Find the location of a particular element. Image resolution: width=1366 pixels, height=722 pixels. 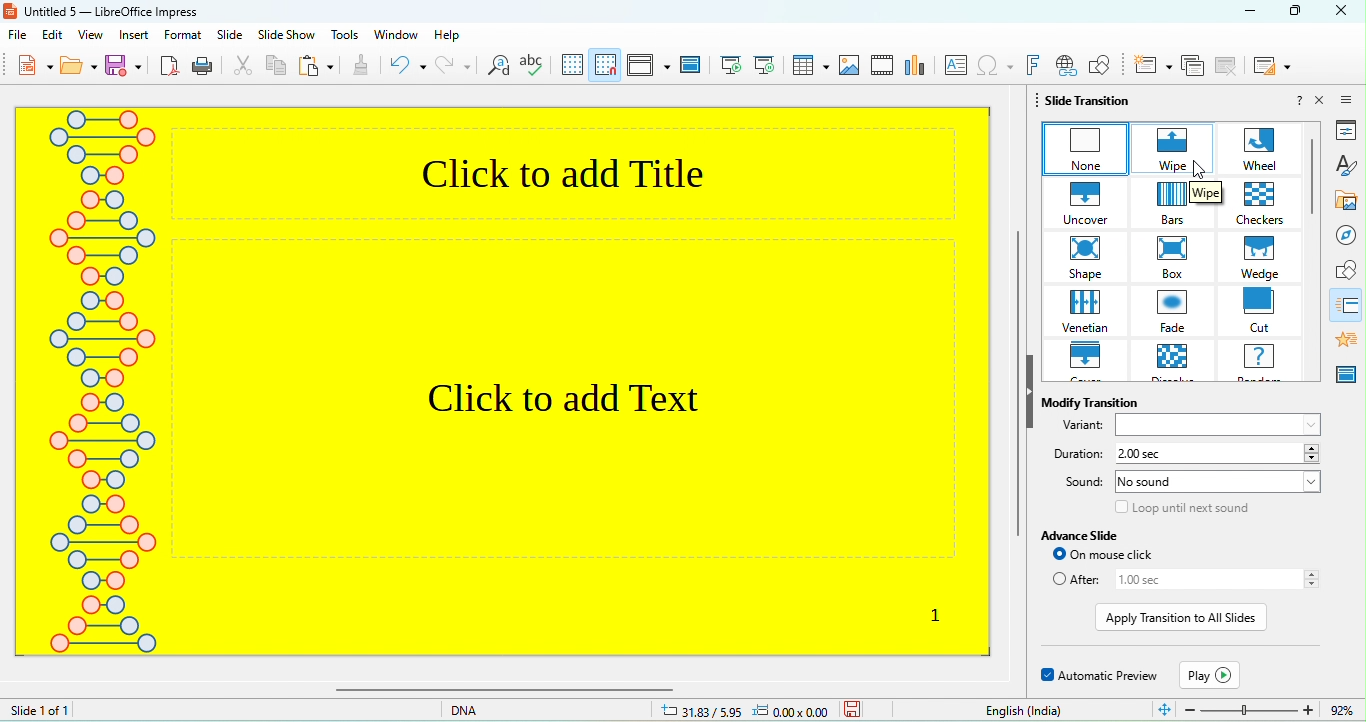

31.83/5.95 is located at coordinates (700, 708).